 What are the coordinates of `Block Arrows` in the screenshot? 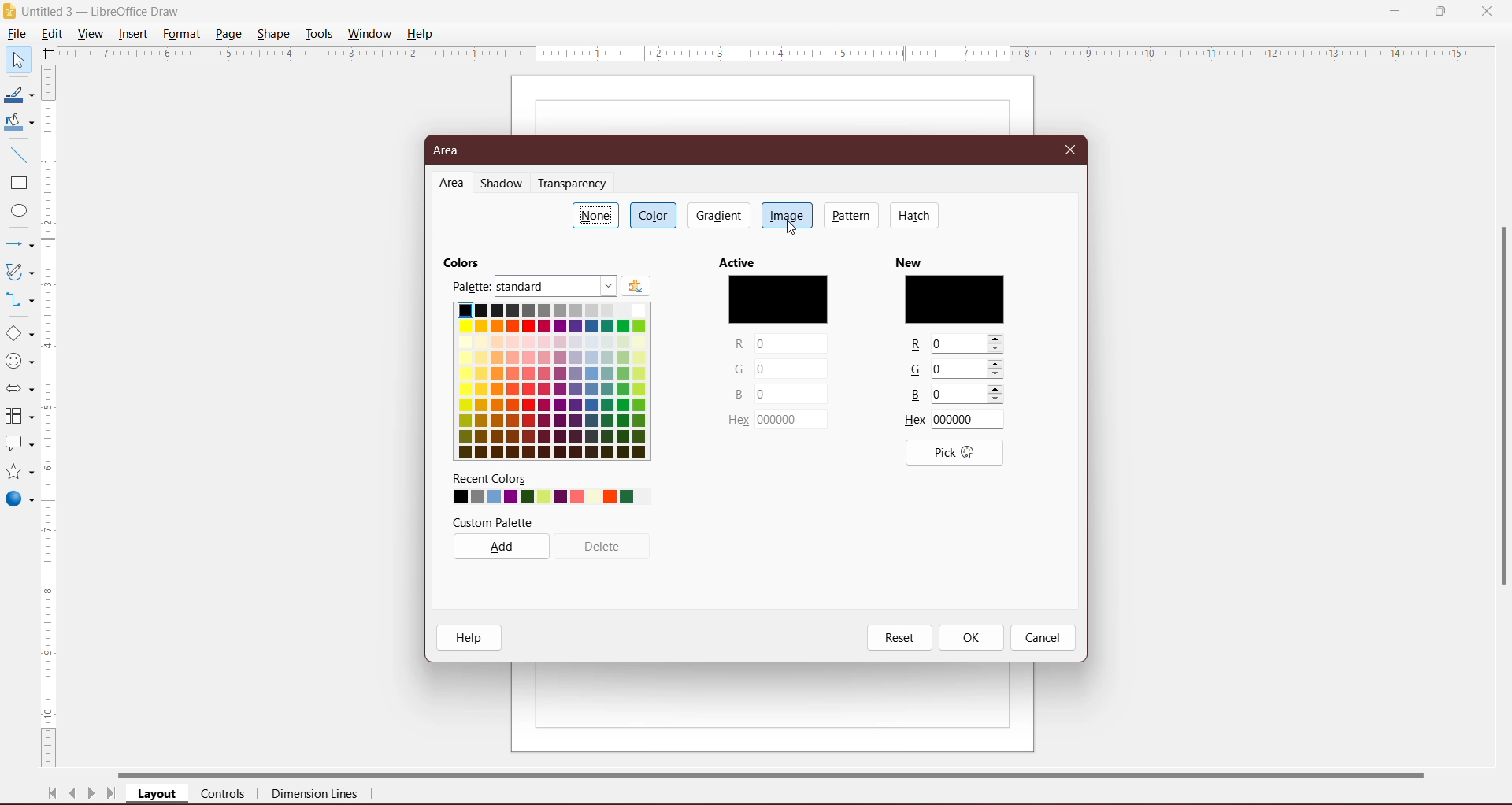 It's located at (18, 391).